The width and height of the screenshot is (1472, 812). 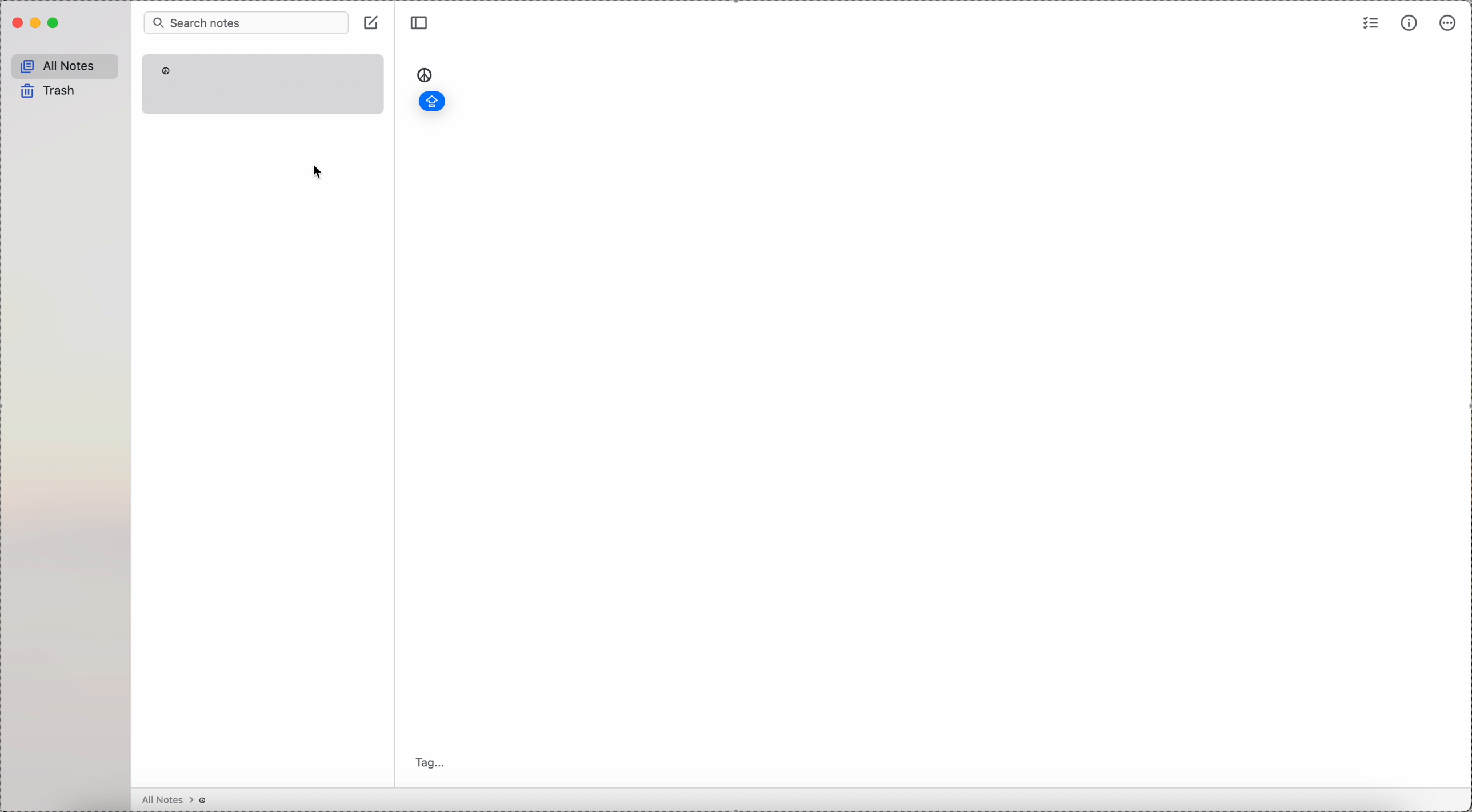 I want to click on minimize Simplenote, so click(x=36, y=25).